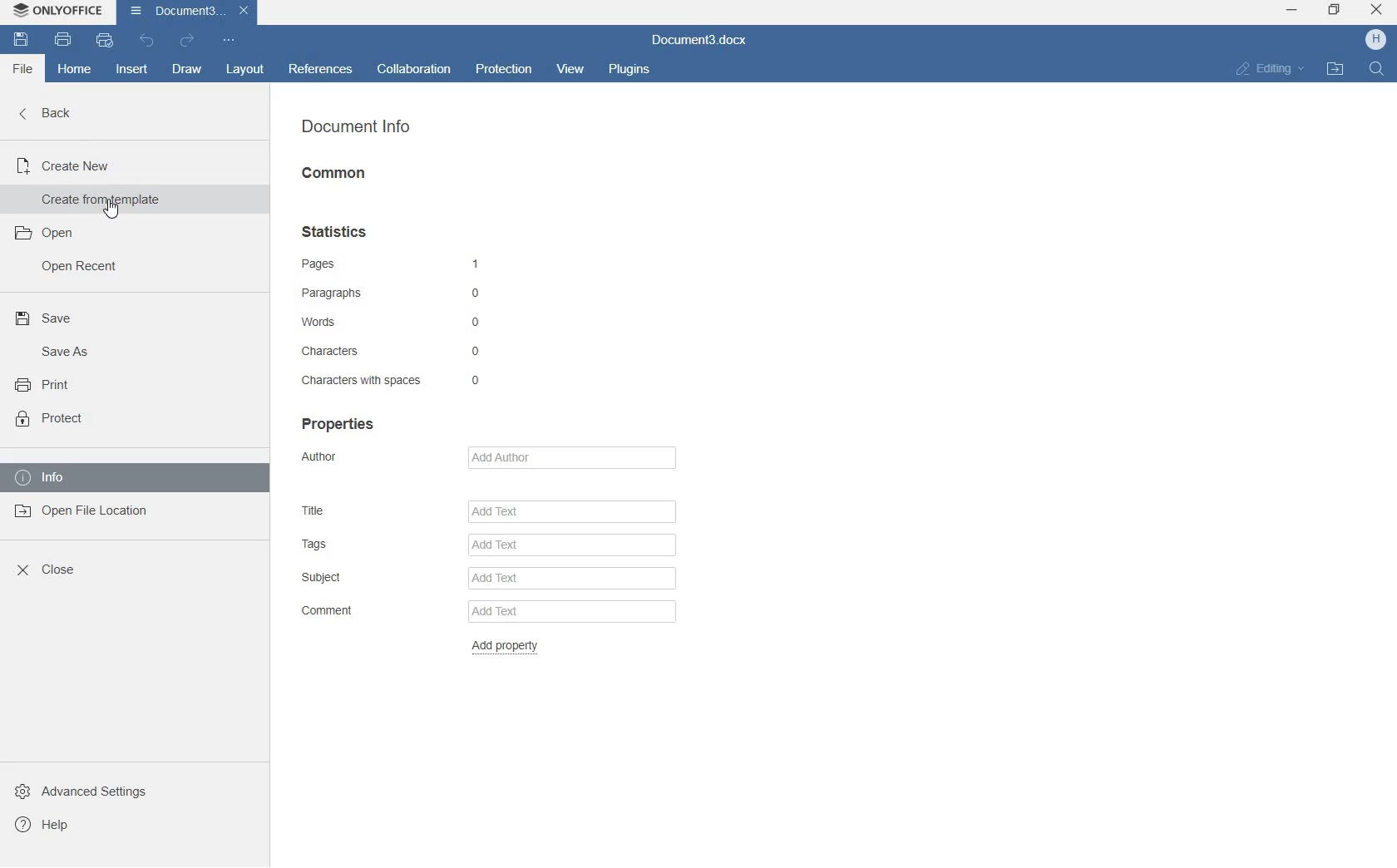 The width and height of the screenshot is (1397, 868). I want to click on help, so click(49, 826).